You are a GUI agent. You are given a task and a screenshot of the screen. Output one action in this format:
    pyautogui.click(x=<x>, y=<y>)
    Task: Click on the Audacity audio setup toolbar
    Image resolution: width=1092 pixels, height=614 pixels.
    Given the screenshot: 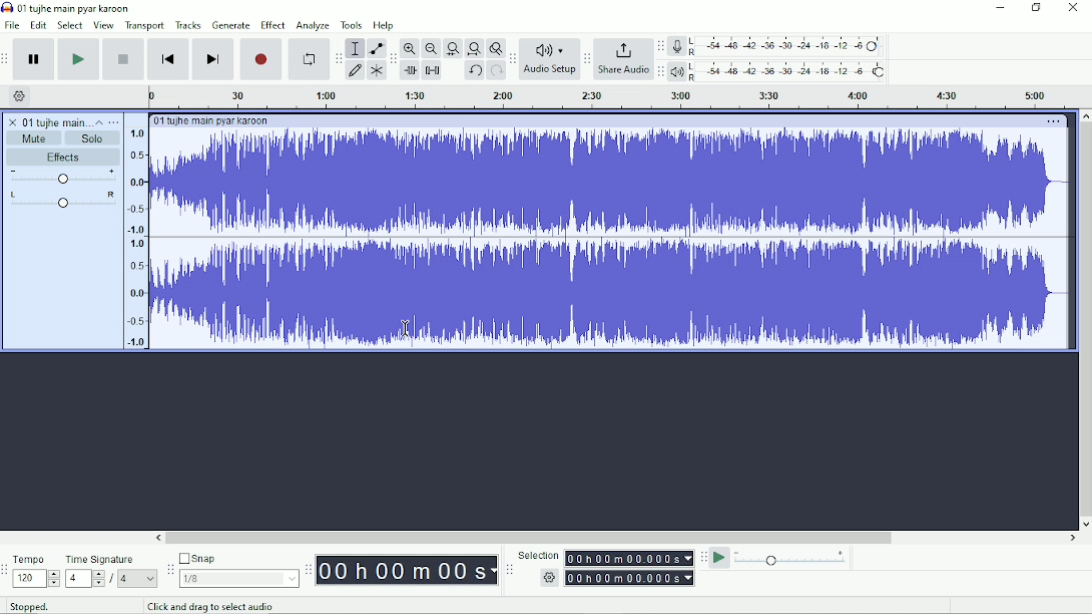 What is the action you would take?
    pyautogui.click(x=512, y=58)
    